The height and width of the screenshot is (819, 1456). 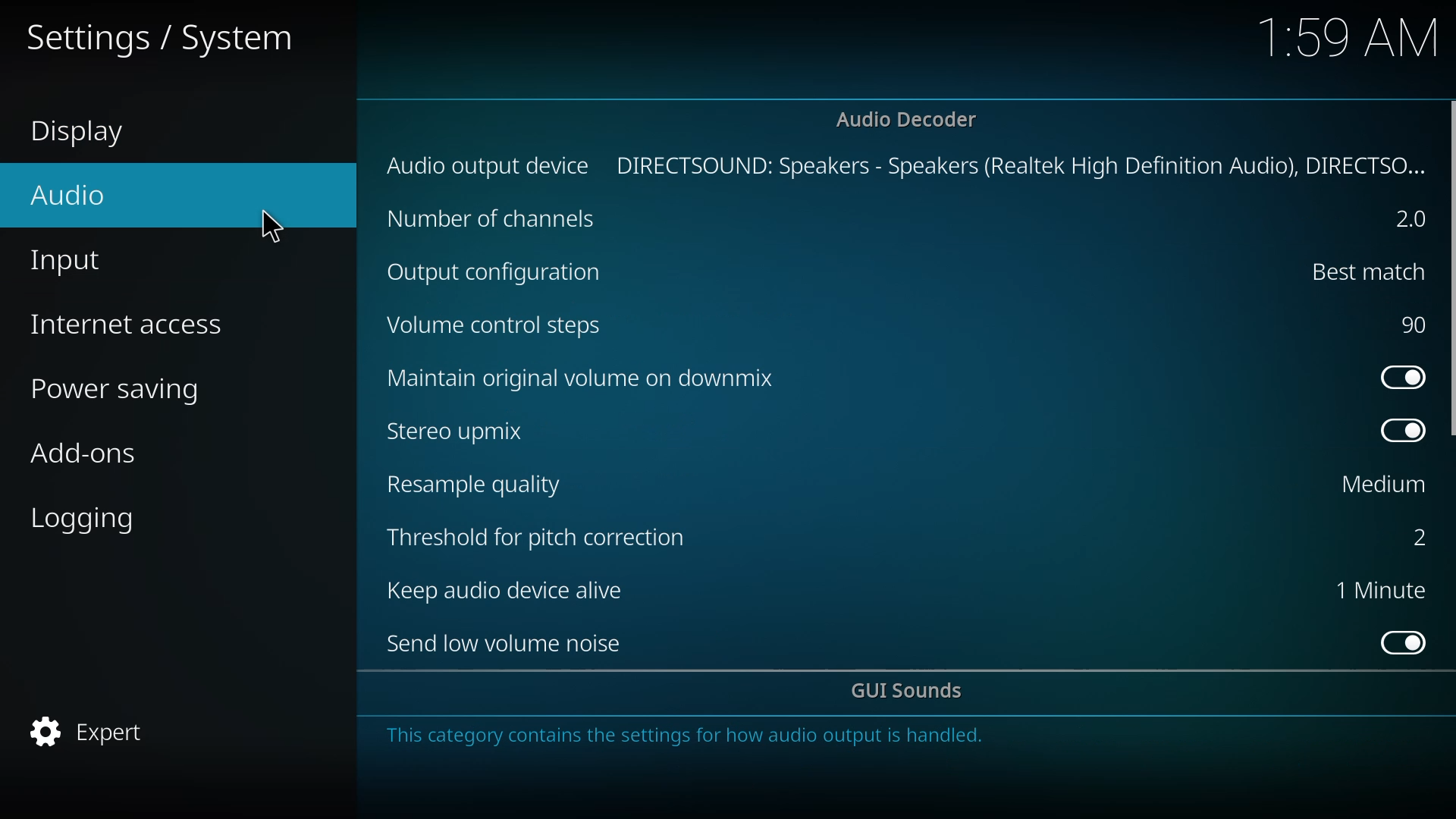 I want to click on best match, so click(x=1359, y=270).